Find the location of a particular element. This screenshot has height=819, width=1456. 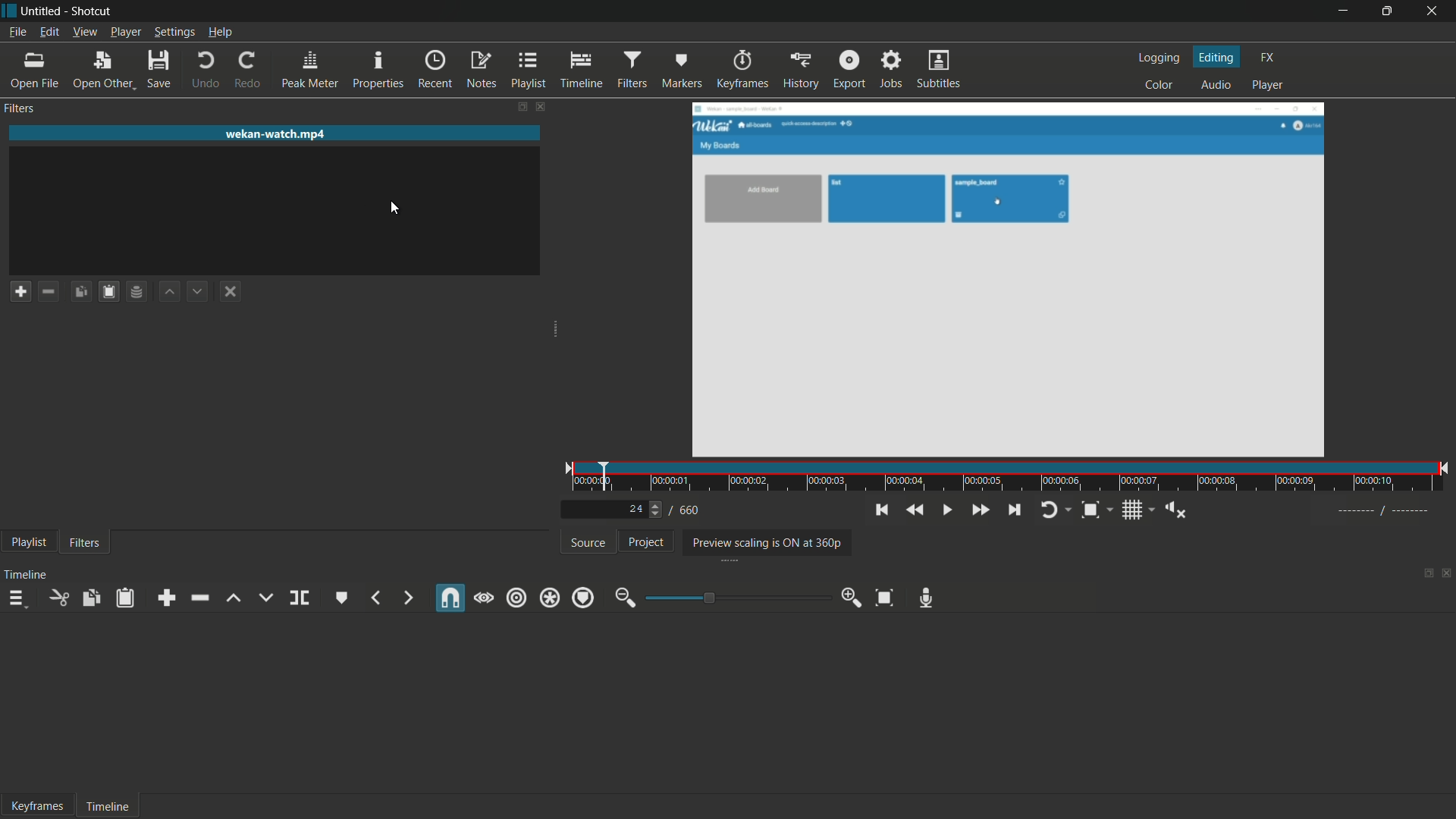

toggle player looping is located at coordinates (1050, 510).